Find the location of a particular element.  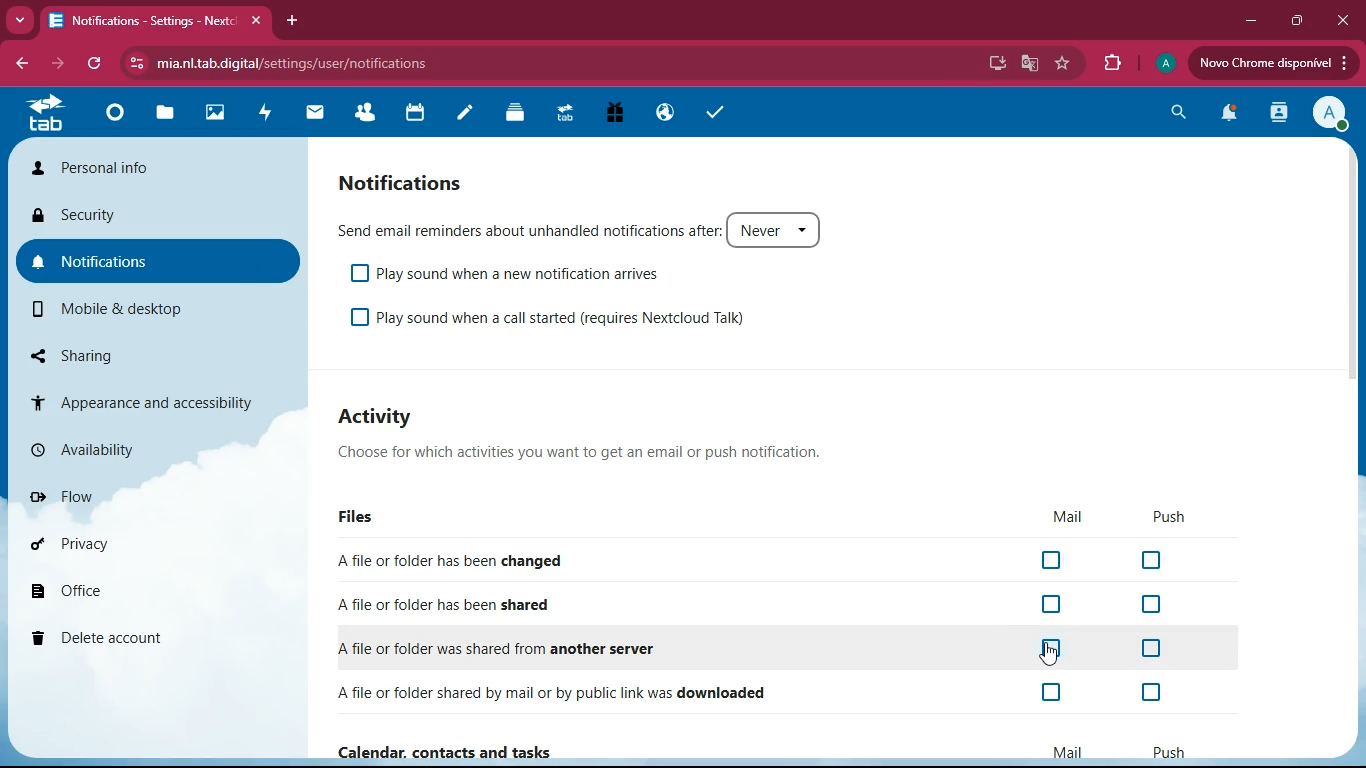

activity is located at coordinates (1279, 115).